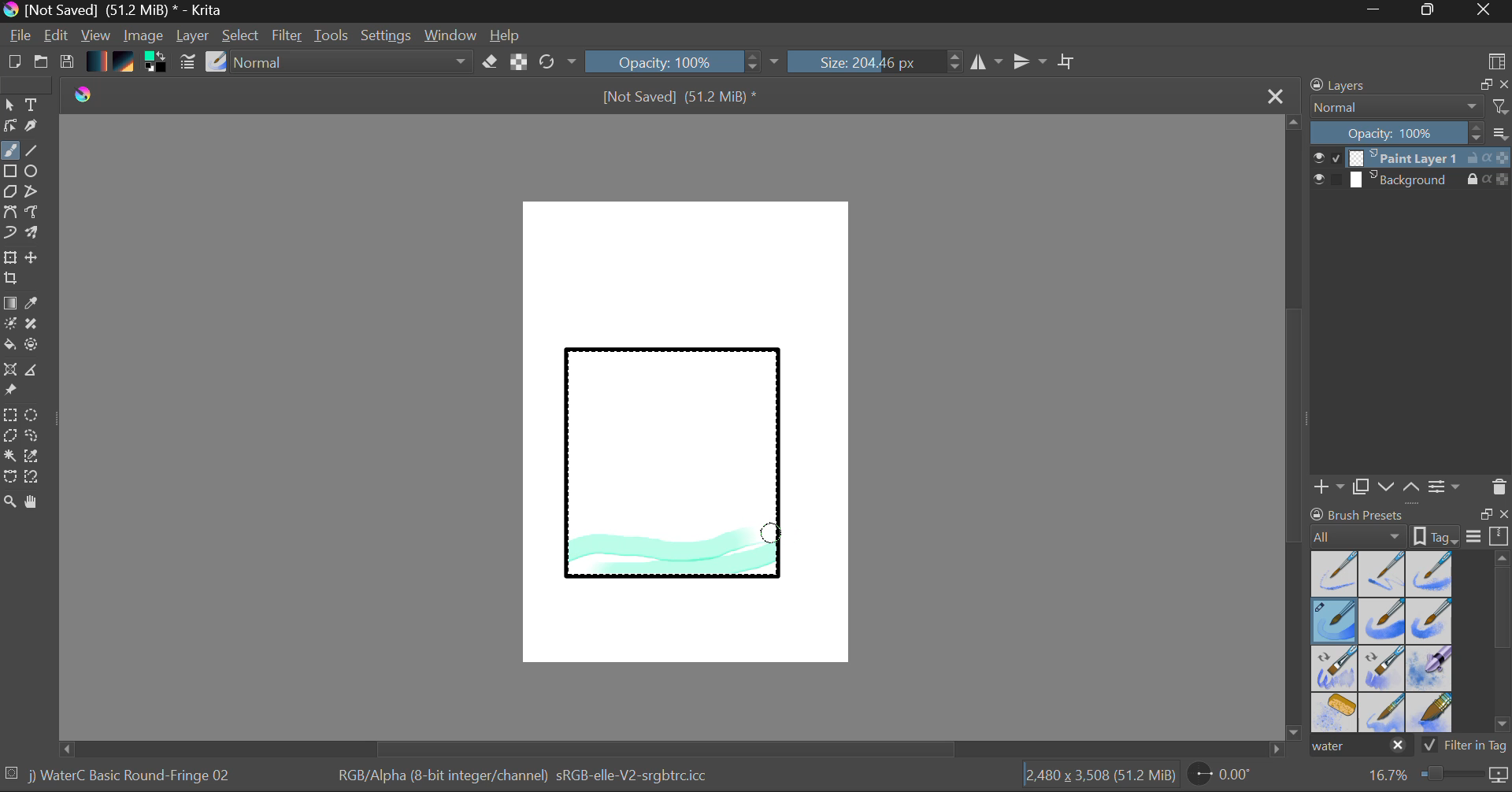  Describe the element at coordinates (289, 38) in the screenshot. I see `Filter` at that location.